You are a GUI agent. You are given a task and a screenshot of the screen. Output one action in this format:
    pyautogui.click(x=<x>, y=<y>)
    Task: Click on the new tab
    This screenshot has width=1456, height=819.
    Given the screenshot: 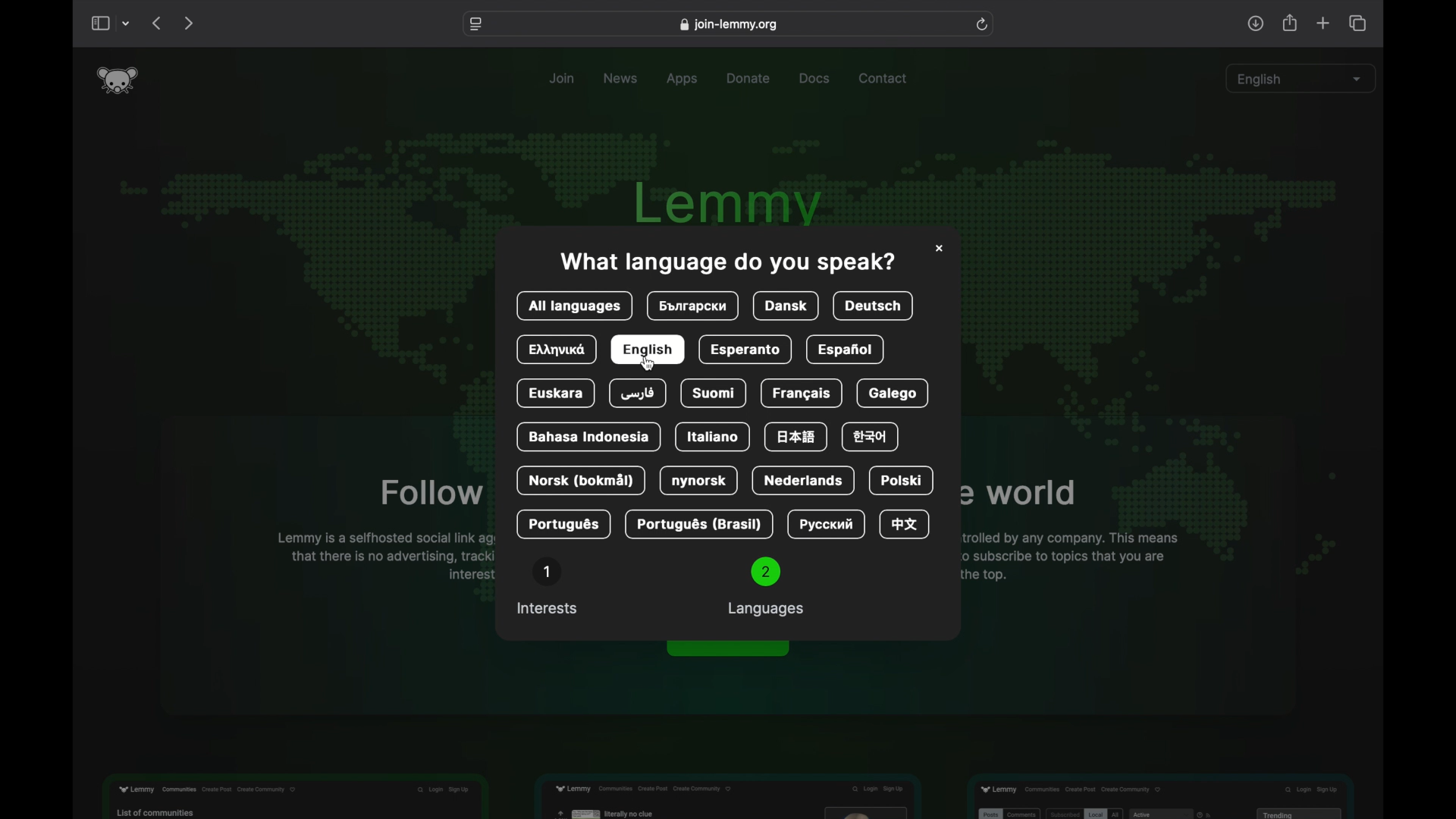 What is the action you would take?
    pyautogui.click(x=1324, y=23)
    